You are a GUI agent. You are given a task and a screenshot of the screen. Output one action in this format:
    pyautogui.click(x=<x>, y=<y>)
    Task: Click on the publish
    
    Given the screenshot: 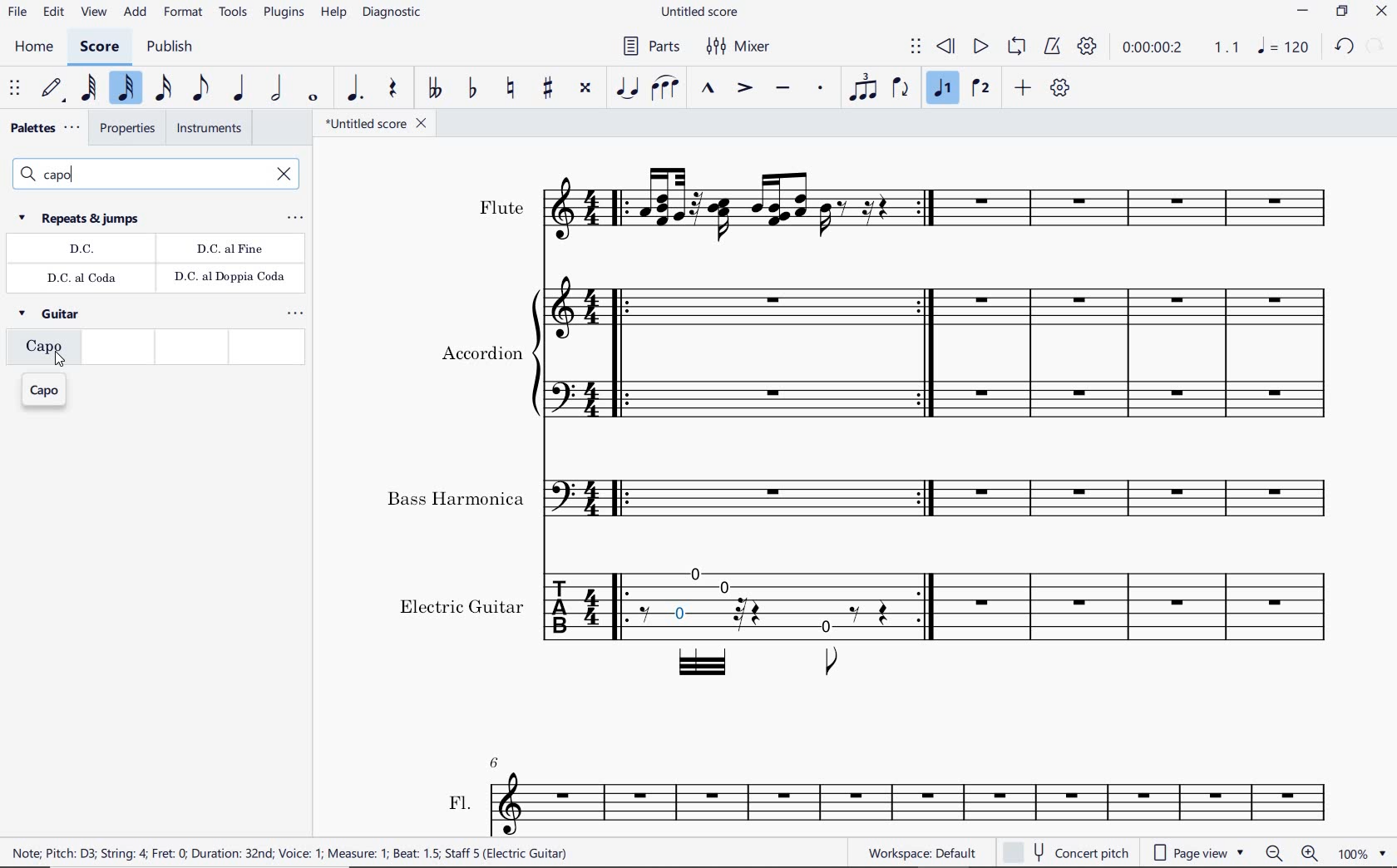 What is the action you would take?
    pyautogui.click(x=170, y=47)
    